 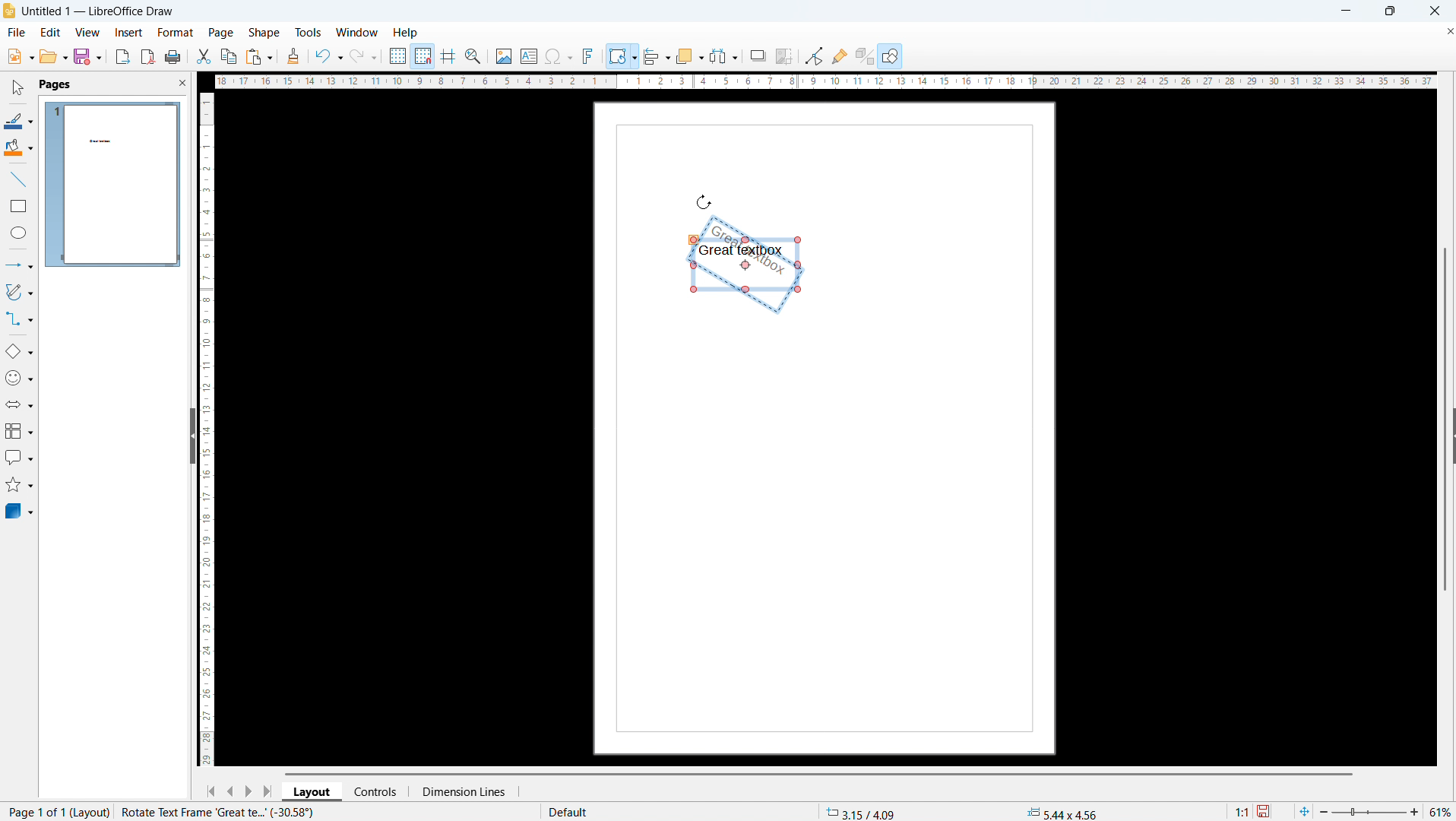 I want to click on fit to page , so click(x=1304, y=811).